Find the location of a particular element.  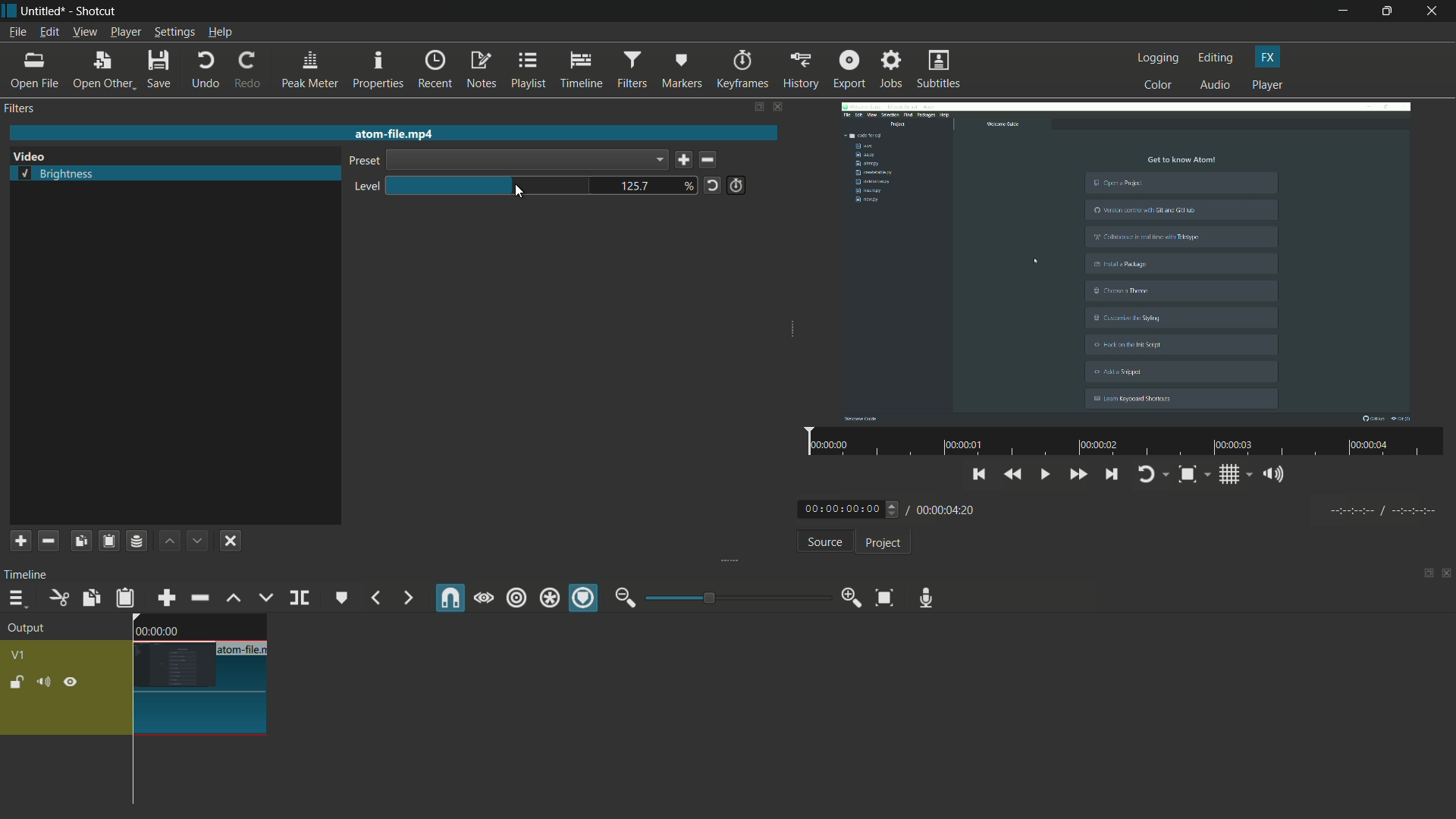

/ 00:00:04:20 (total time) is located at coordinates (943, 507).